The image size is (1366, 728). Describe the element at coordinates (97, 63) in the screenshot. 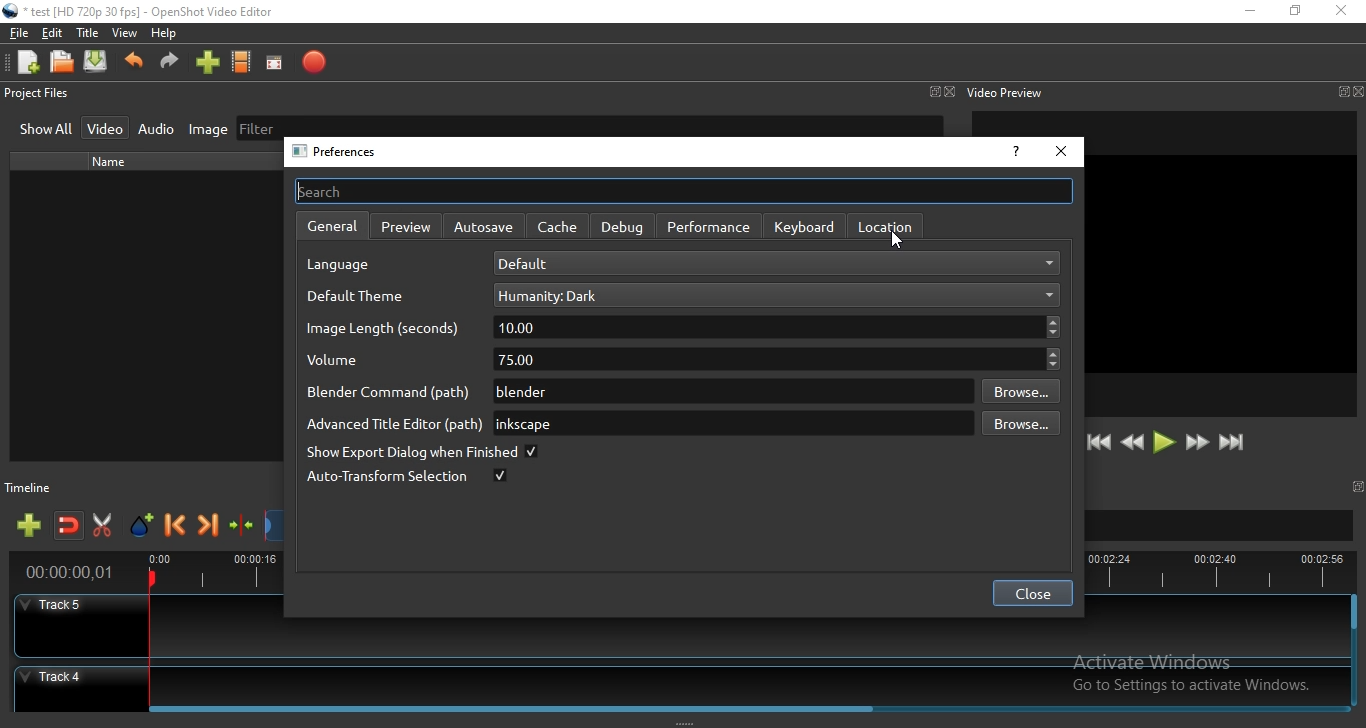

I see `Save project ` at that location.